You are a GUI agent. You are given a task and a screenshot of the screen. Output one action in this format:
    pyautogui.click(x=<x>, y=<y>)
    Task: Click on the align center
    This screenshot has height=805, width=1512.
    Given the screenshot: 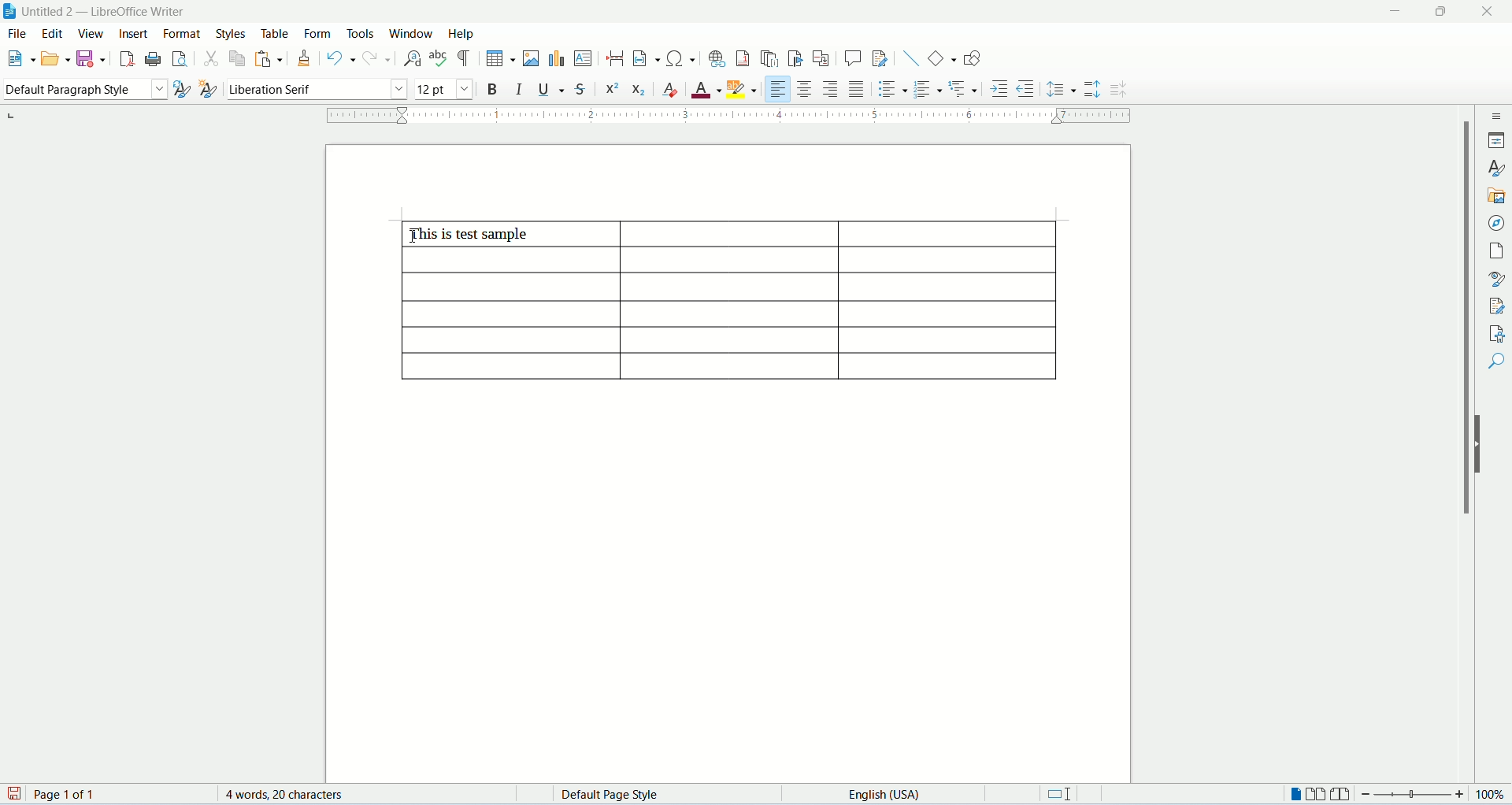 What is the action you would take?
    pyautogui.click(x=807, y=89)
    